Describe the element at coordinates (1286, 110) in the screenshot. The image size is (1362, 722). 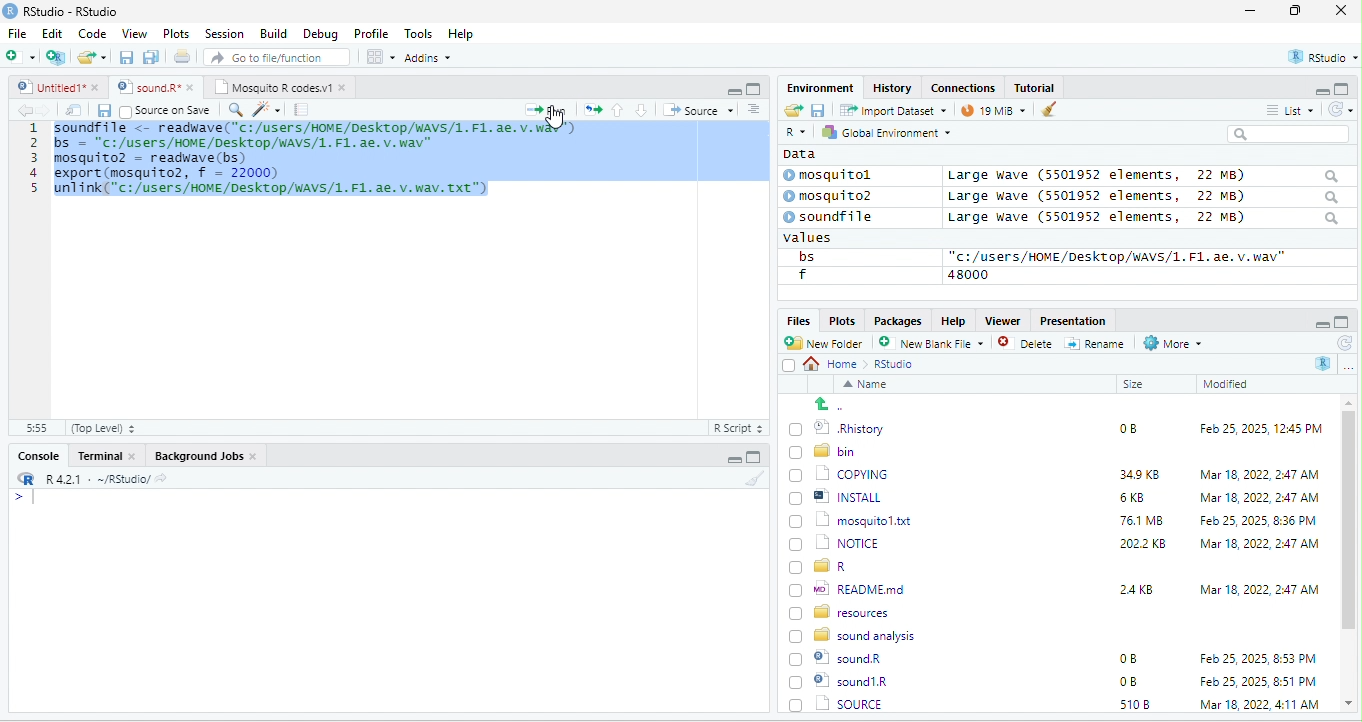
I see `= List ~` at that location.